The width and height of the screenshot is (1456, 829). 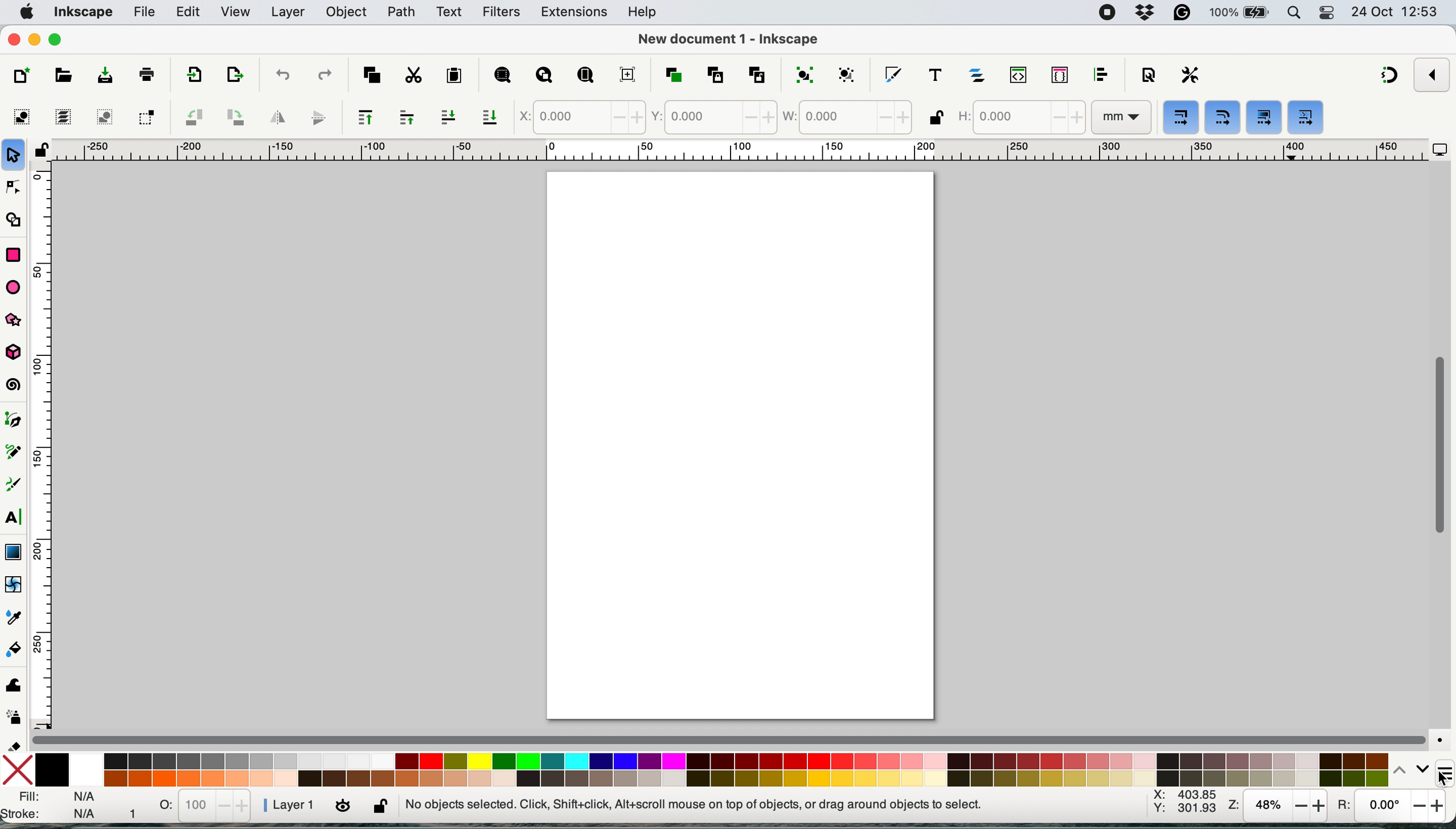 What do you see at coordinates (935, 73) in the screenshot?
I see `text and font` at bounding box center [935, 73].